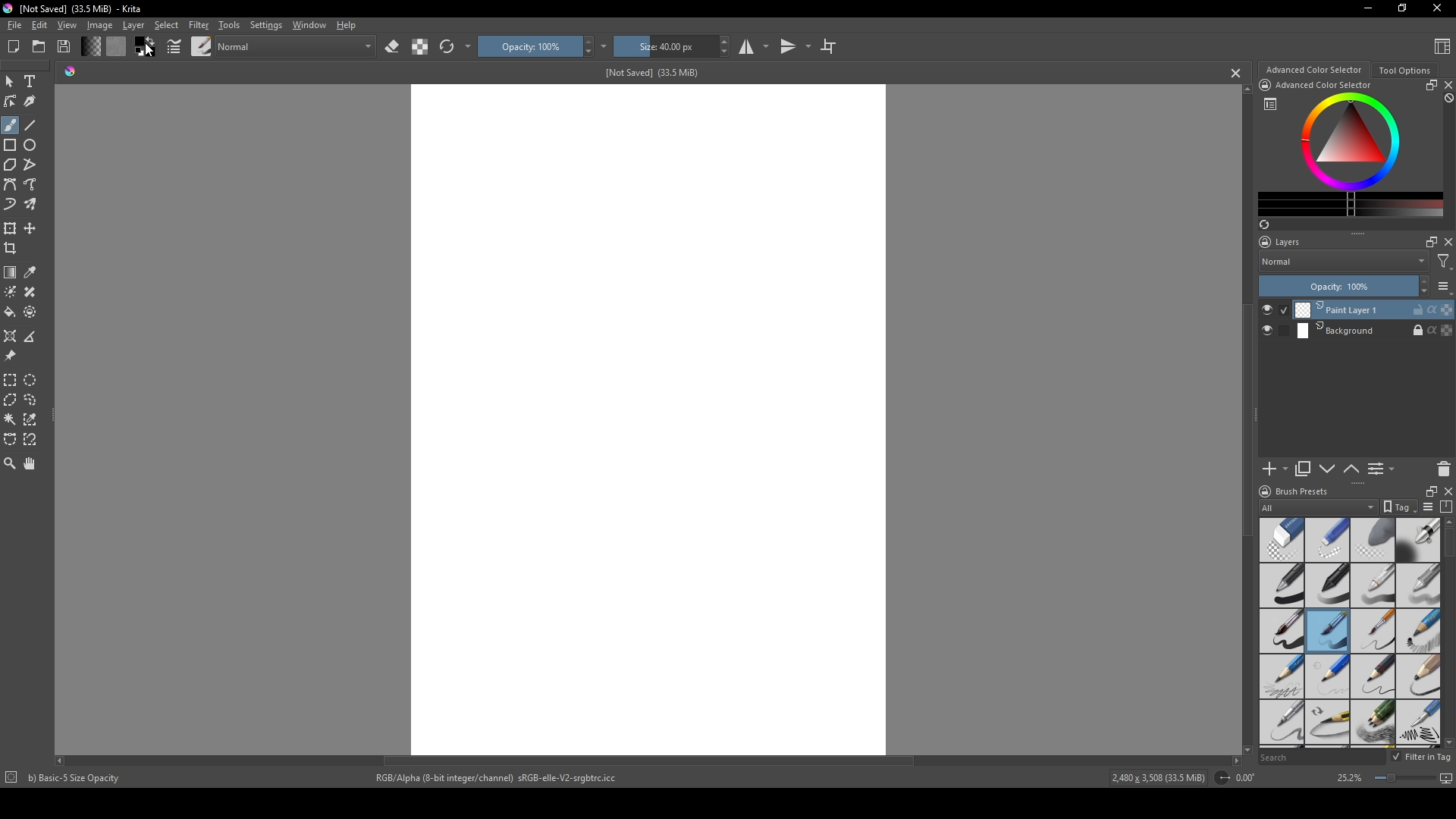 The height and width of the screenshot is (819, 1456). What do you see at coordinates (1374, 331) in the screenshot?
I see `Background` at bounding box center [1374, 331].